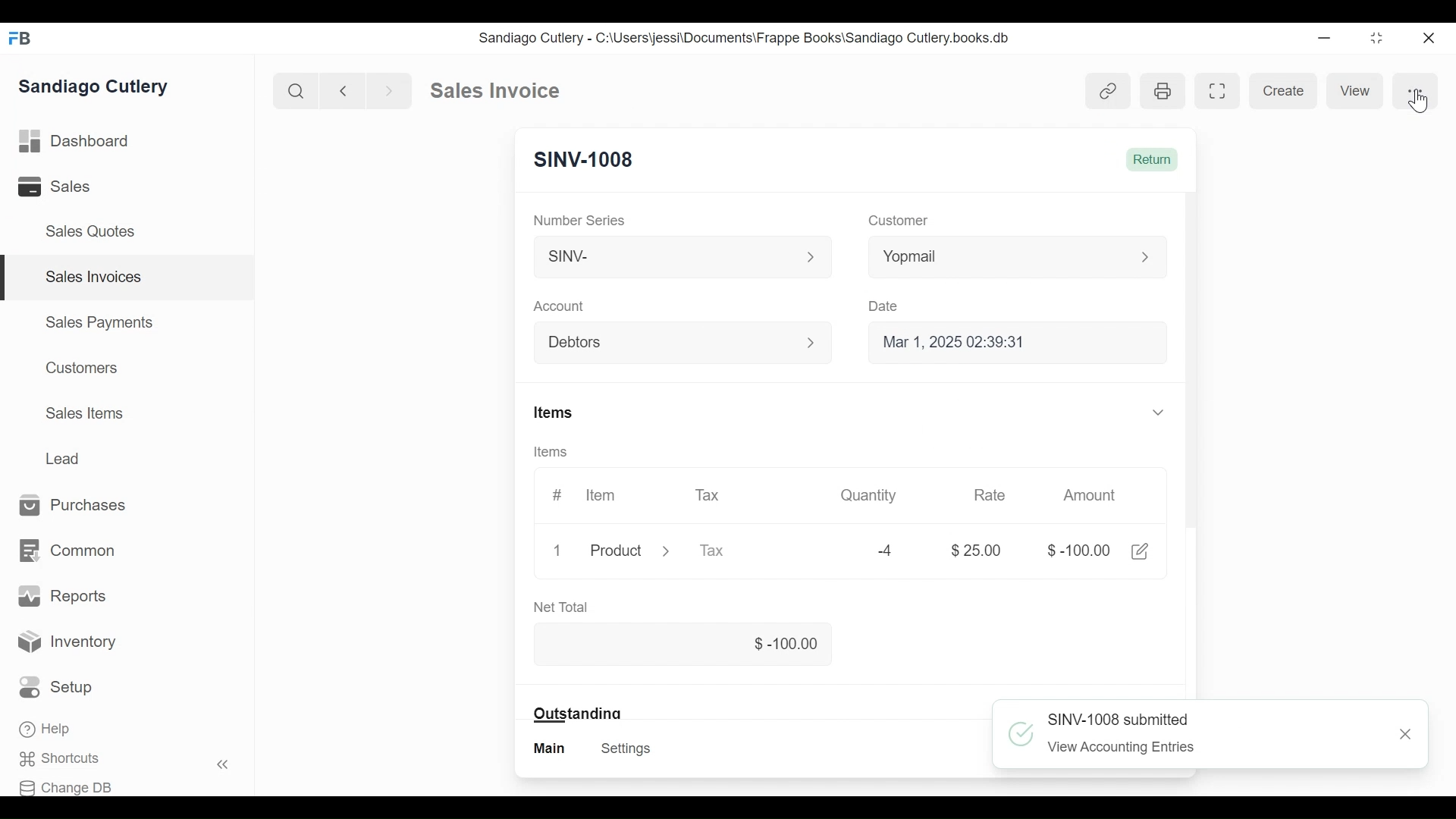 This screenshot has height=819, width=1456. What do you see at coordinates (1118, 719) in the screenshot?
I see `SINV-1008 submitted` at bounding box center [1118, 719].